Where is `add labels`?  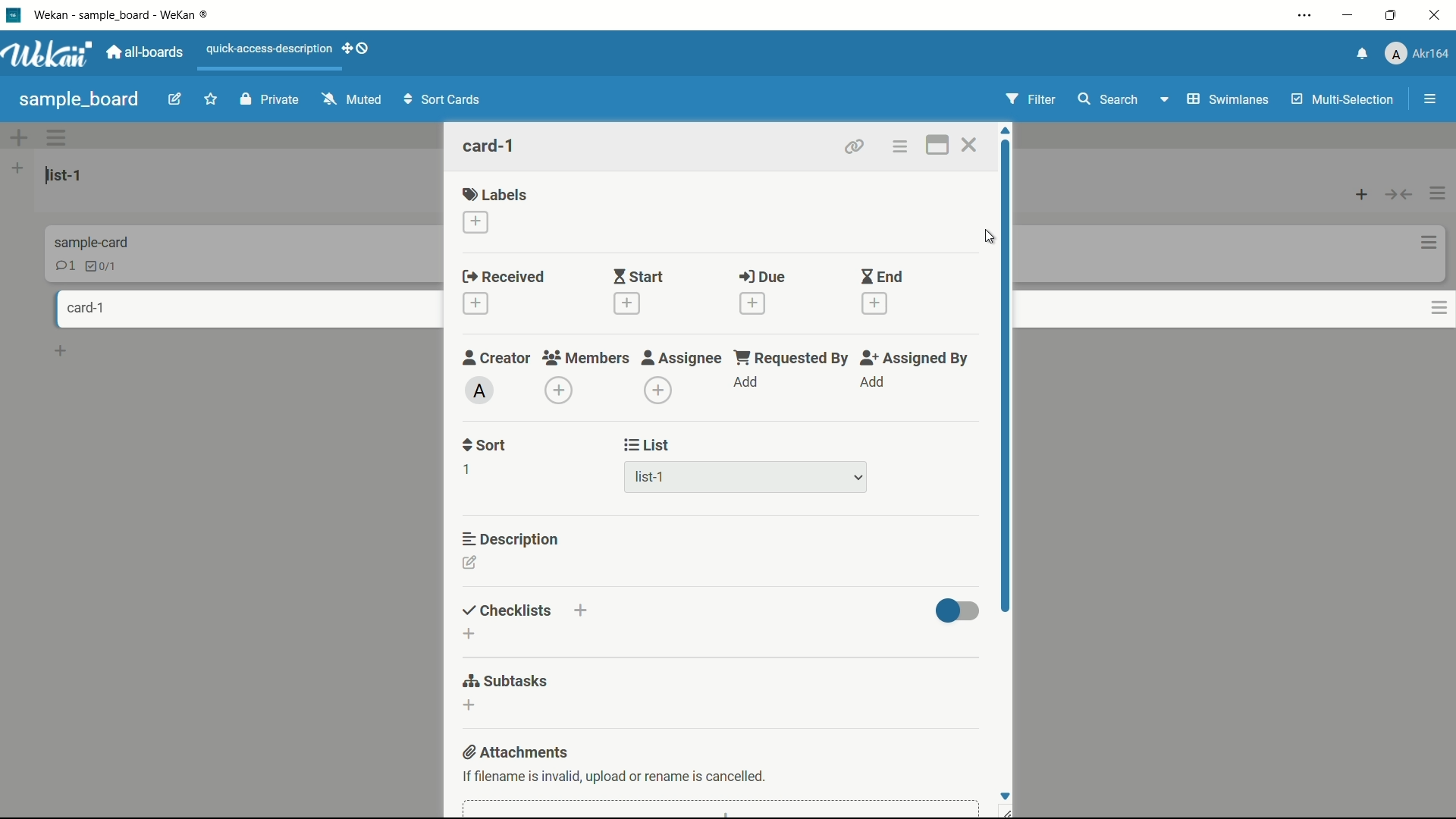
add labels is located at coordinates (471, 227).